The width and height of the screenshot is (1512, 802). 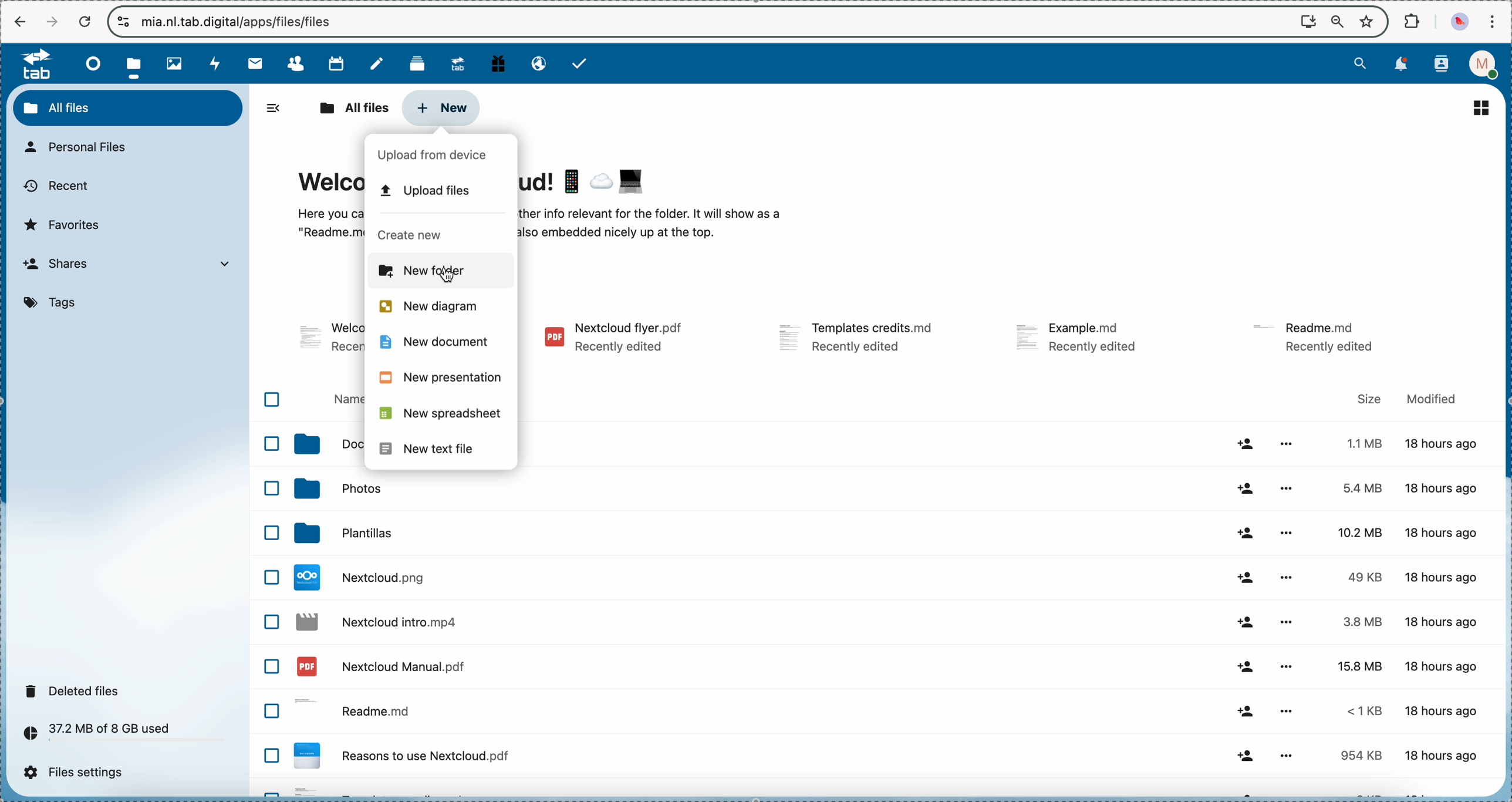 What do you see at coordinates (1287, 578) in the screenshot?
I see `more options` at bounding box center [1287, 578].